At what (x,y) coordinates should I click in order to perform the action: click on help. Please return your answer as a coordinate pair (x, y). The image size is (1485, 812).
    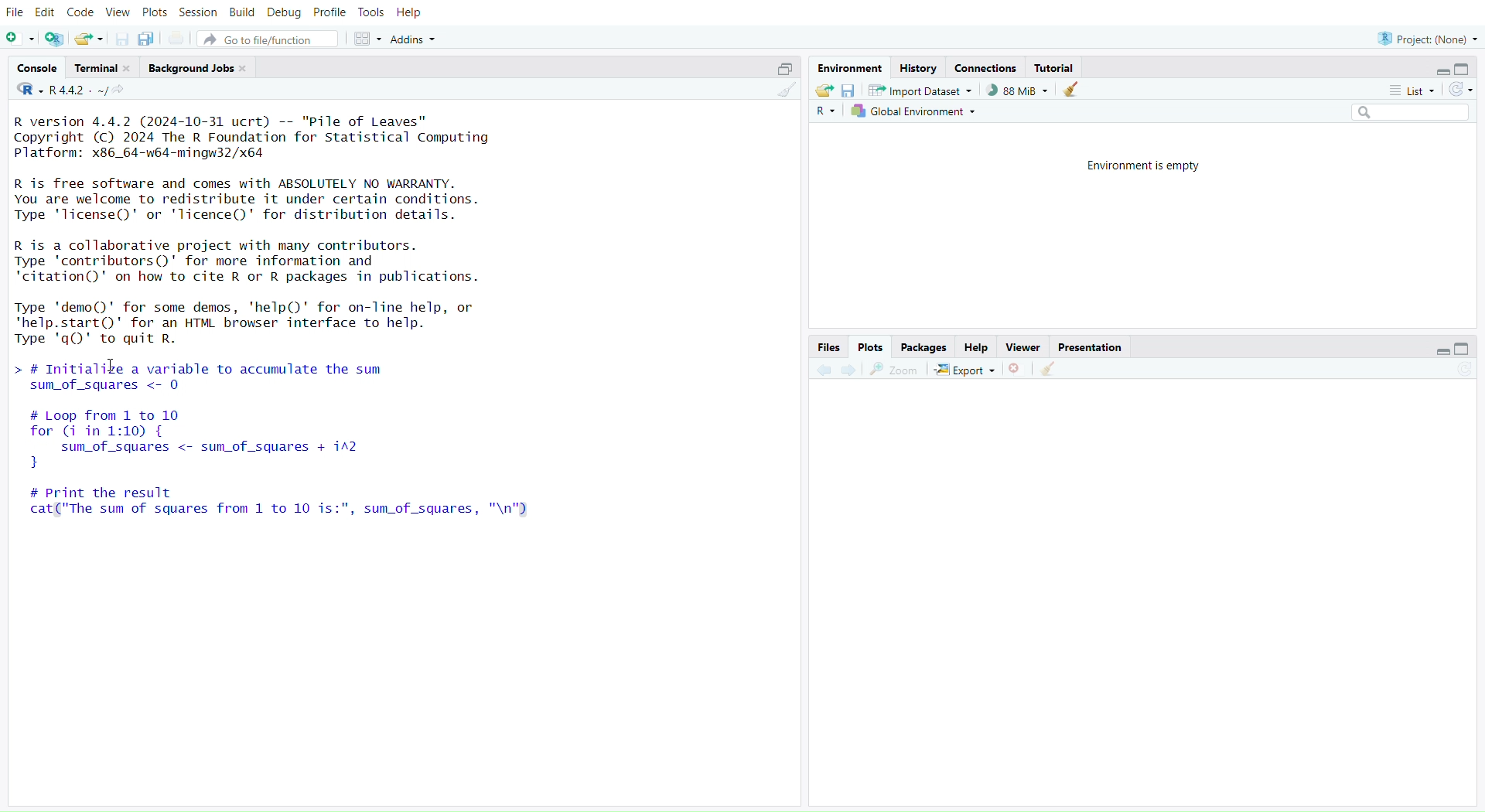
    Looking at the image, I should click on (411, 12).